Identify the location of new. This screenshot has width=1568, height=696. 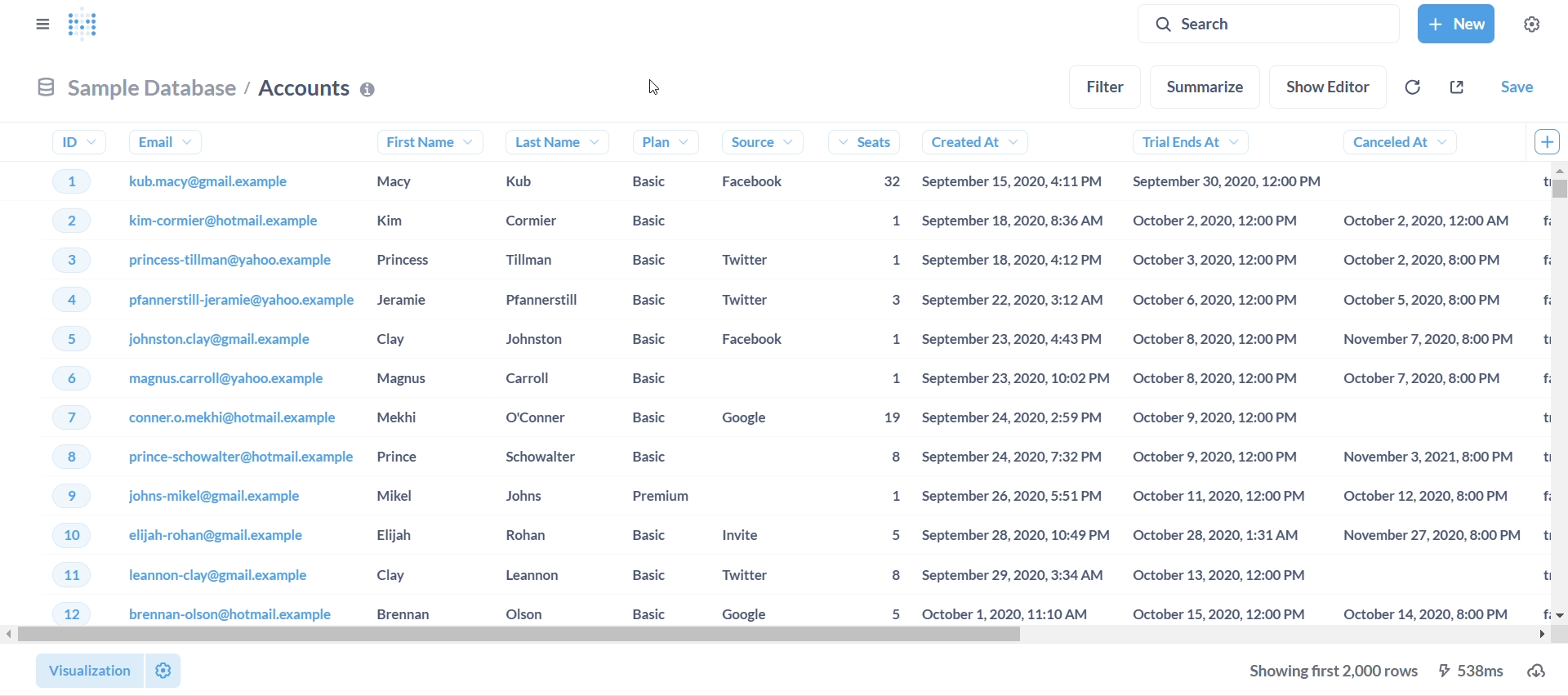
(1457, 24).